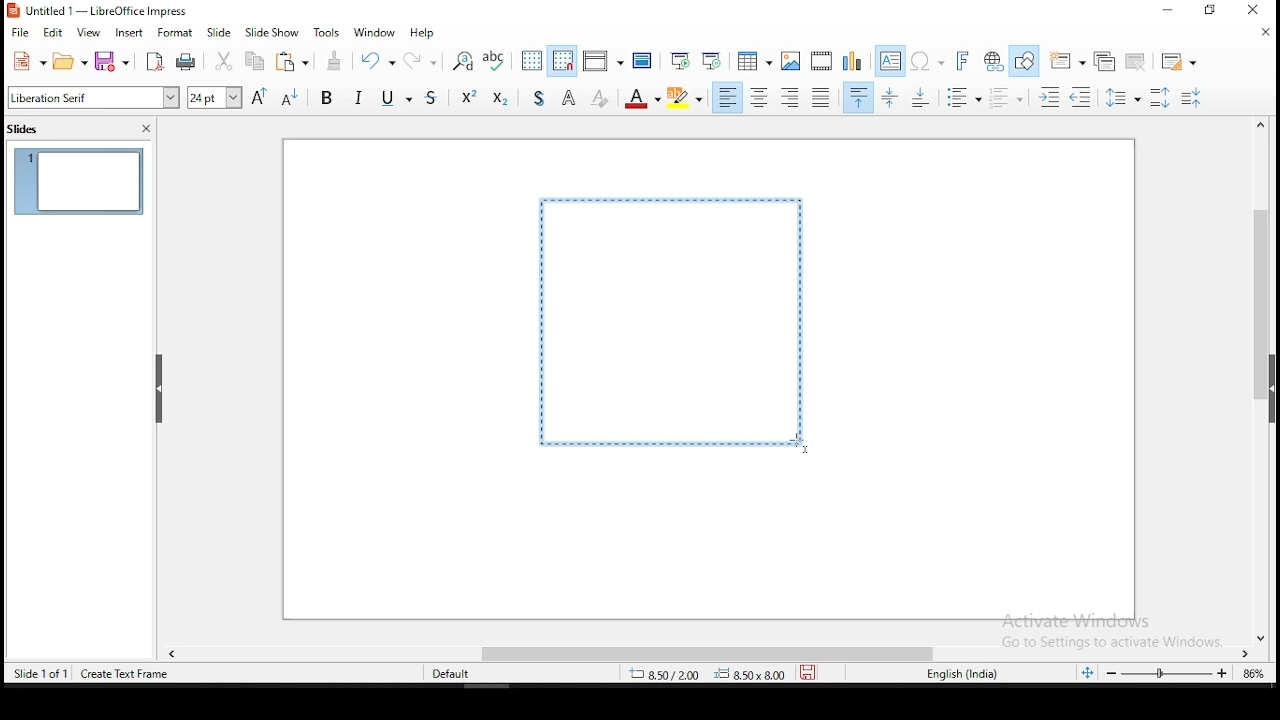  I want to click on insert video, so click(823, 61).